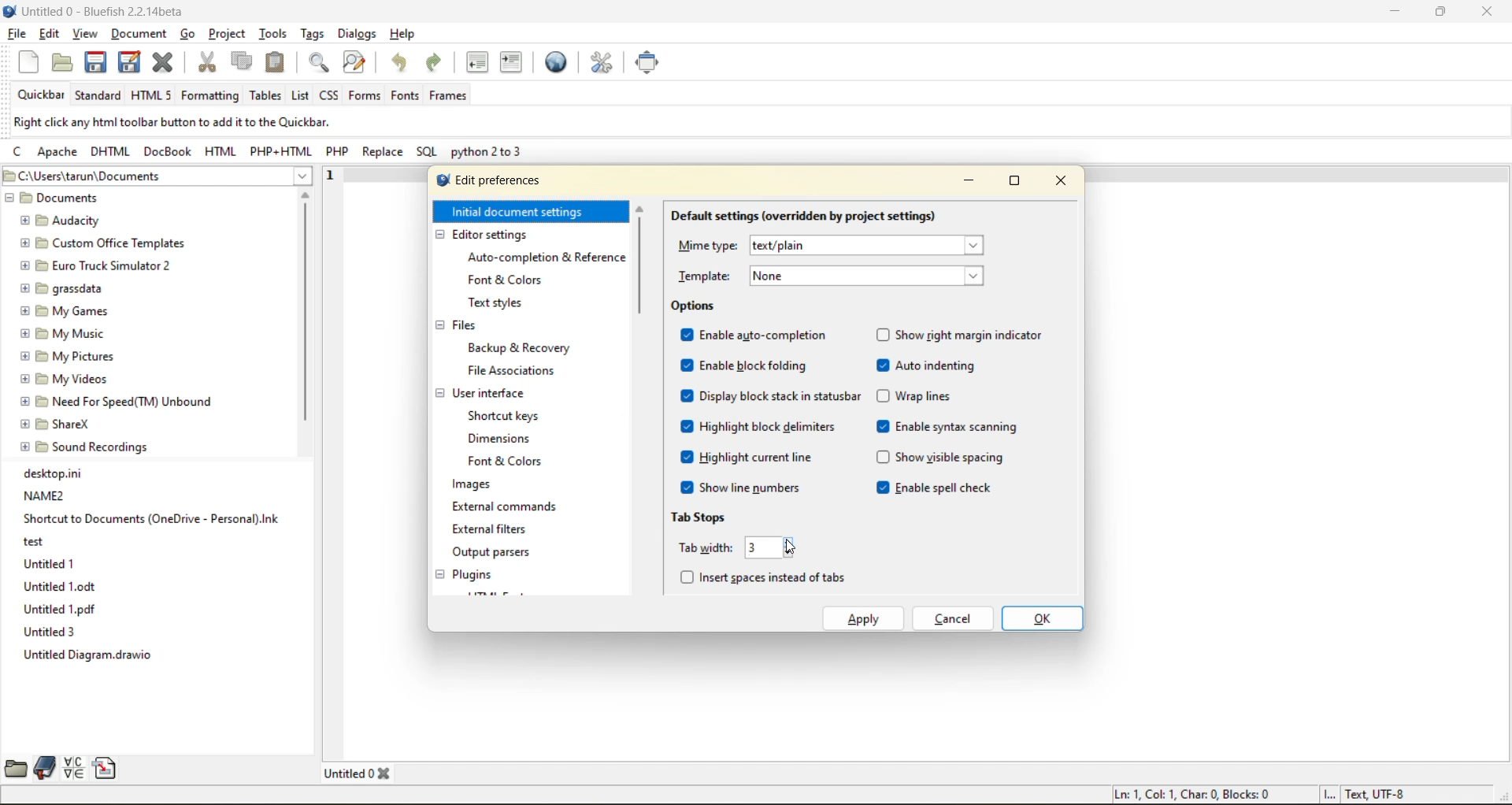  Describe the element at coordinates (94, 657) in the screenshot. I see `Untitled Diagram.drawio` at that location.